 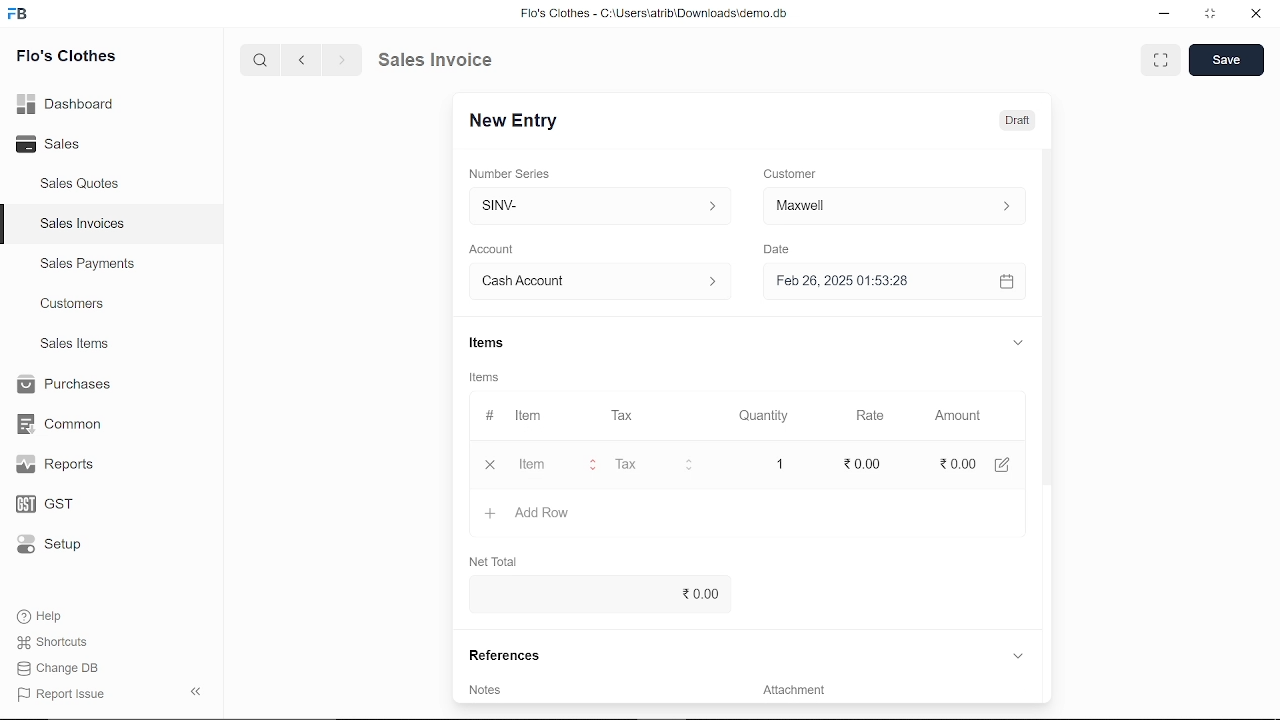 What do you see at coordinates (517, 417) in the screenshot?
I see `Item` at bounding box center [517, 417].